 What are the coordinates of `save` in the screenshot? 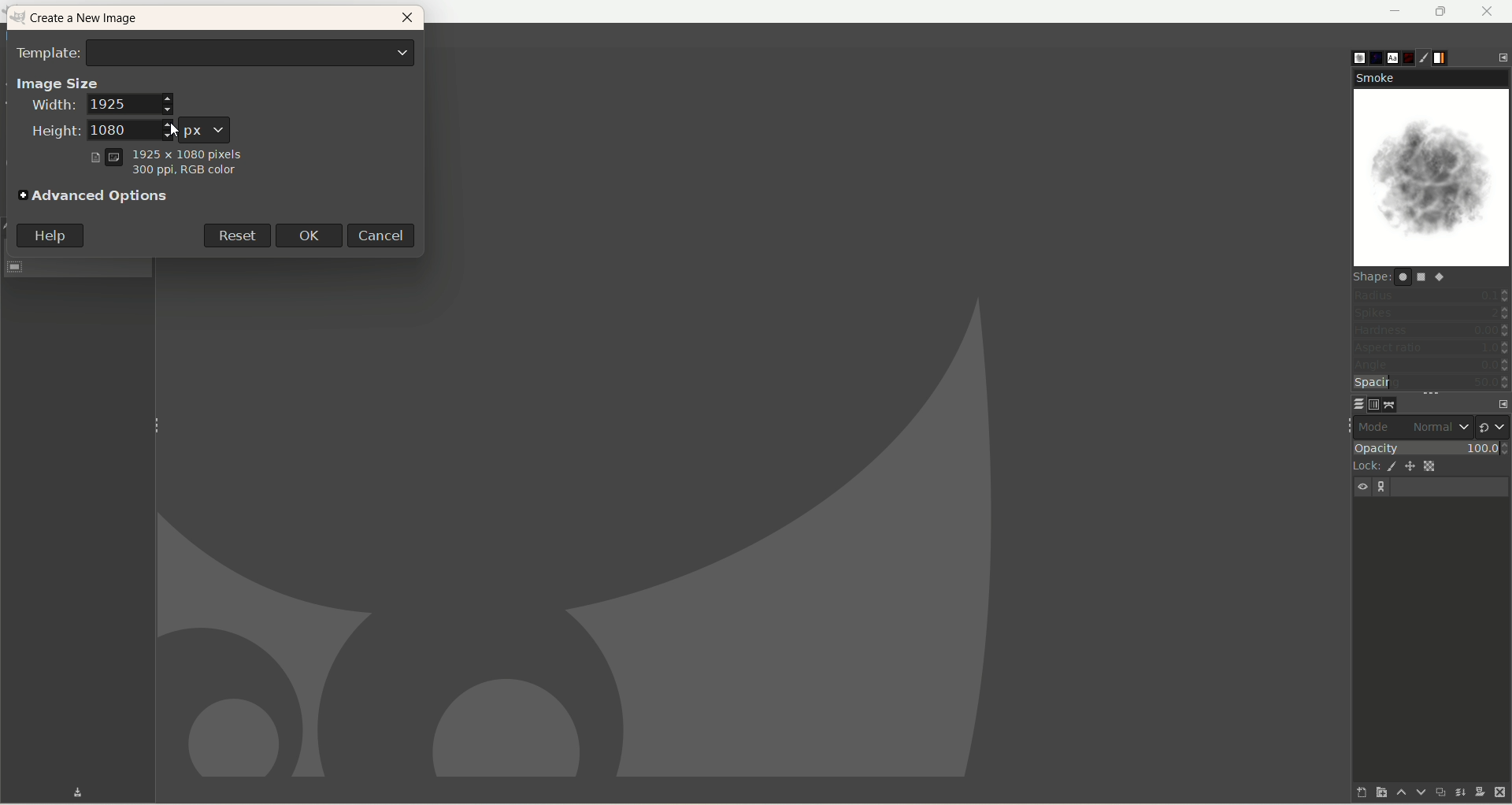 It's located at (65, 792).